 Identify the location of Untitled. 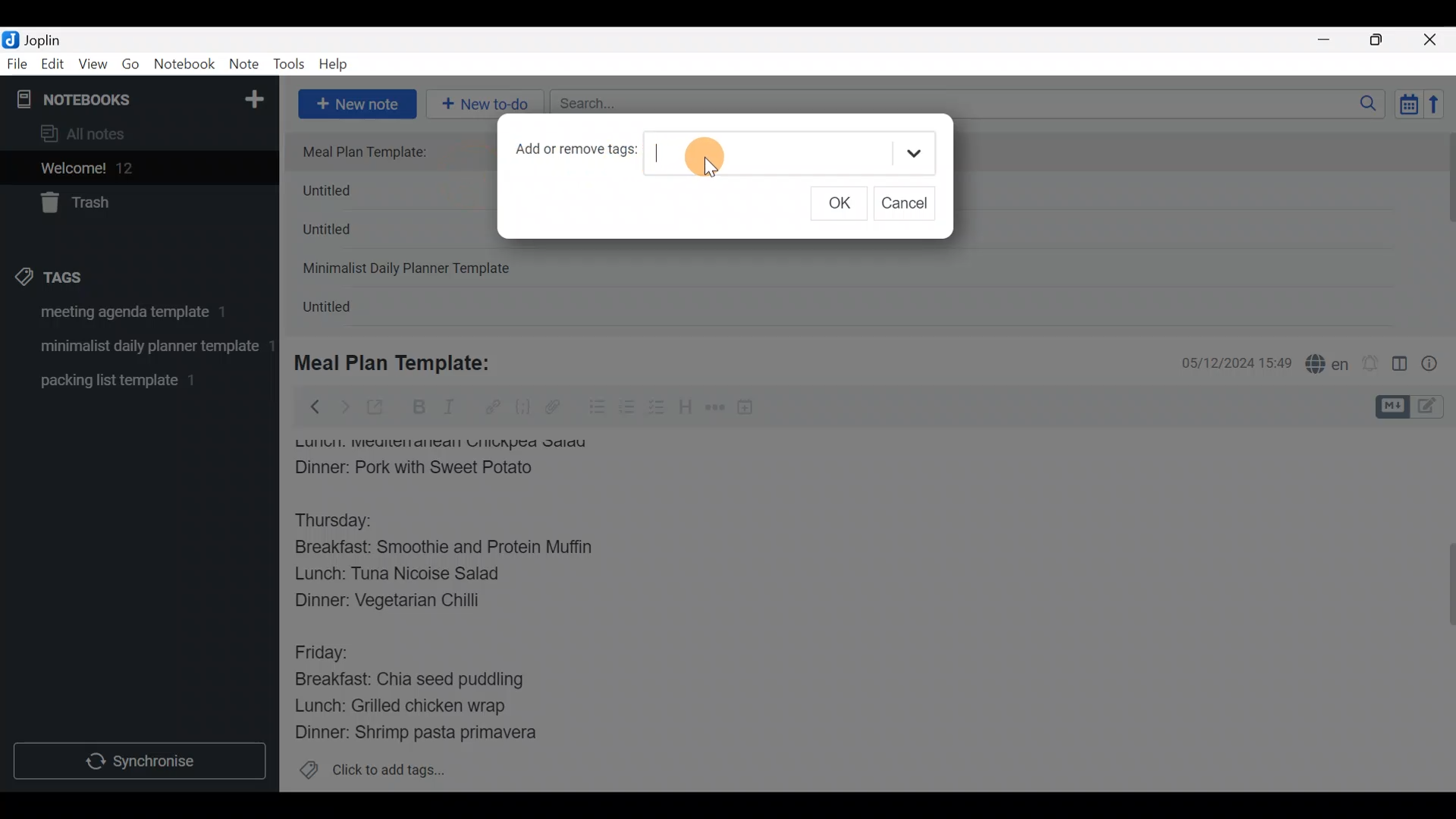
(347, 234).